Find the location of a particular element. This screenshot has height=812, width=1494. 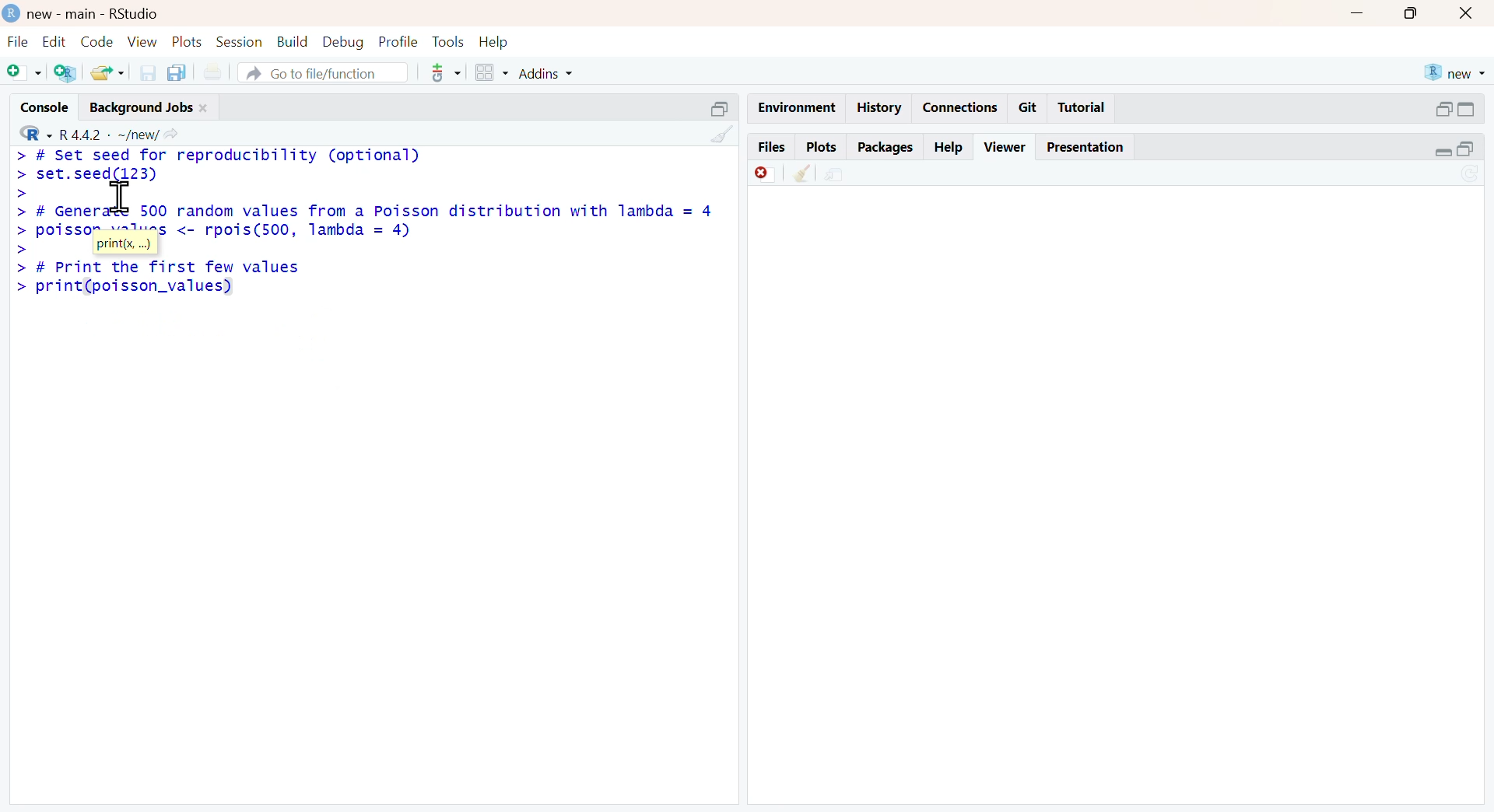

close is located at coordinates (1468, 13).